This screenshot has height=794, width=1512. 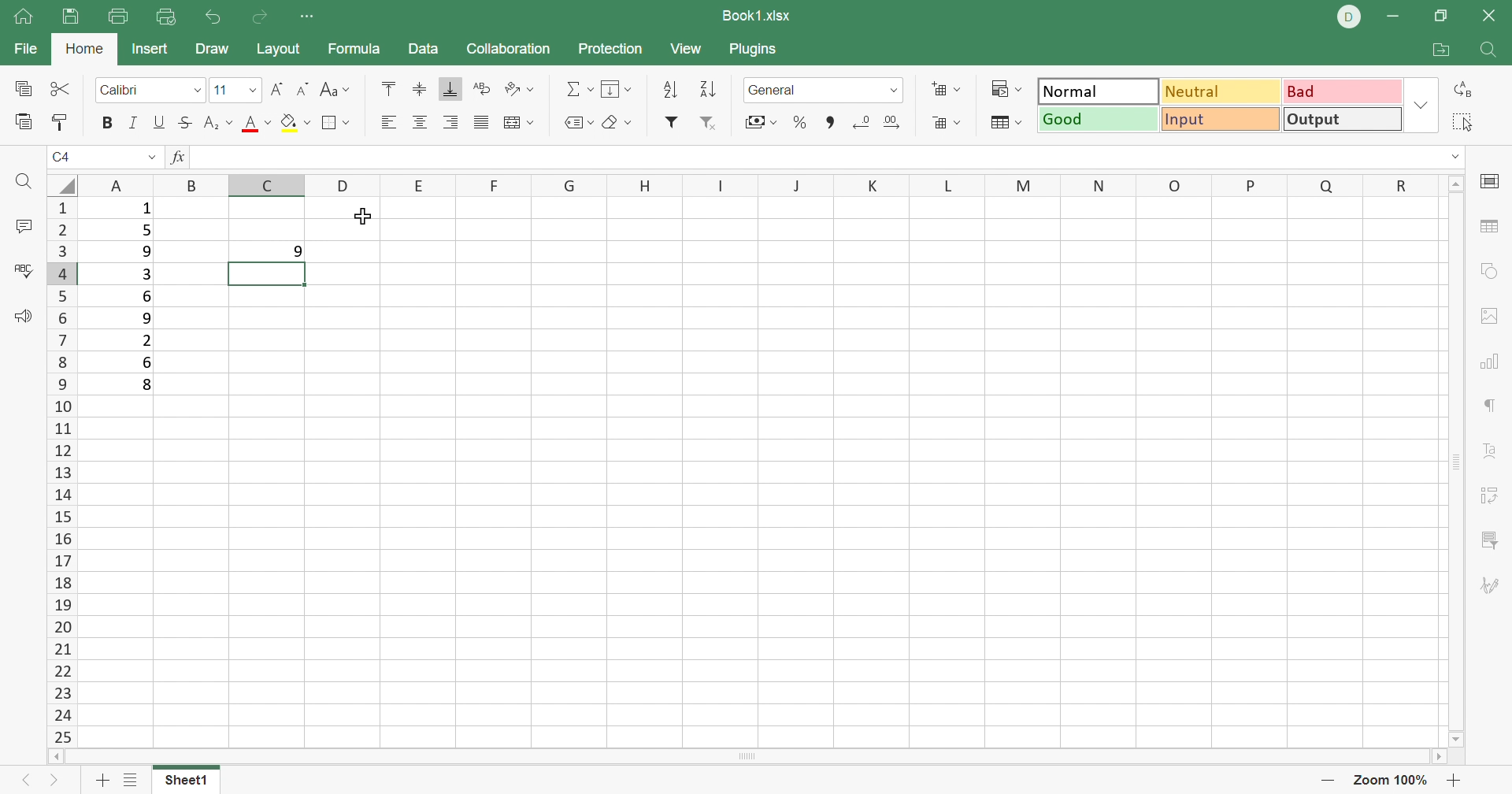 I want to click on Formula, so click(x=353, y=51).